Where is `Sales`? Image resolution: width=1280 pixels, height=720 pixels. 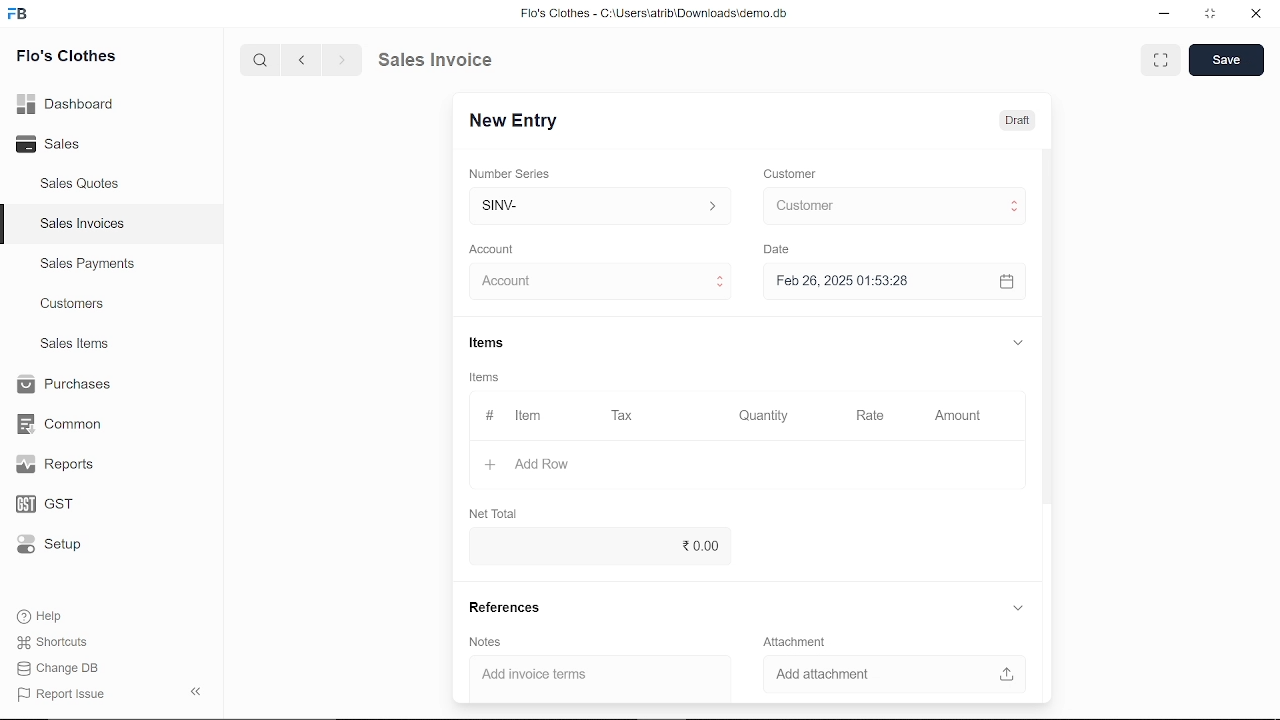 Sales is located at coordinates (70, 145).